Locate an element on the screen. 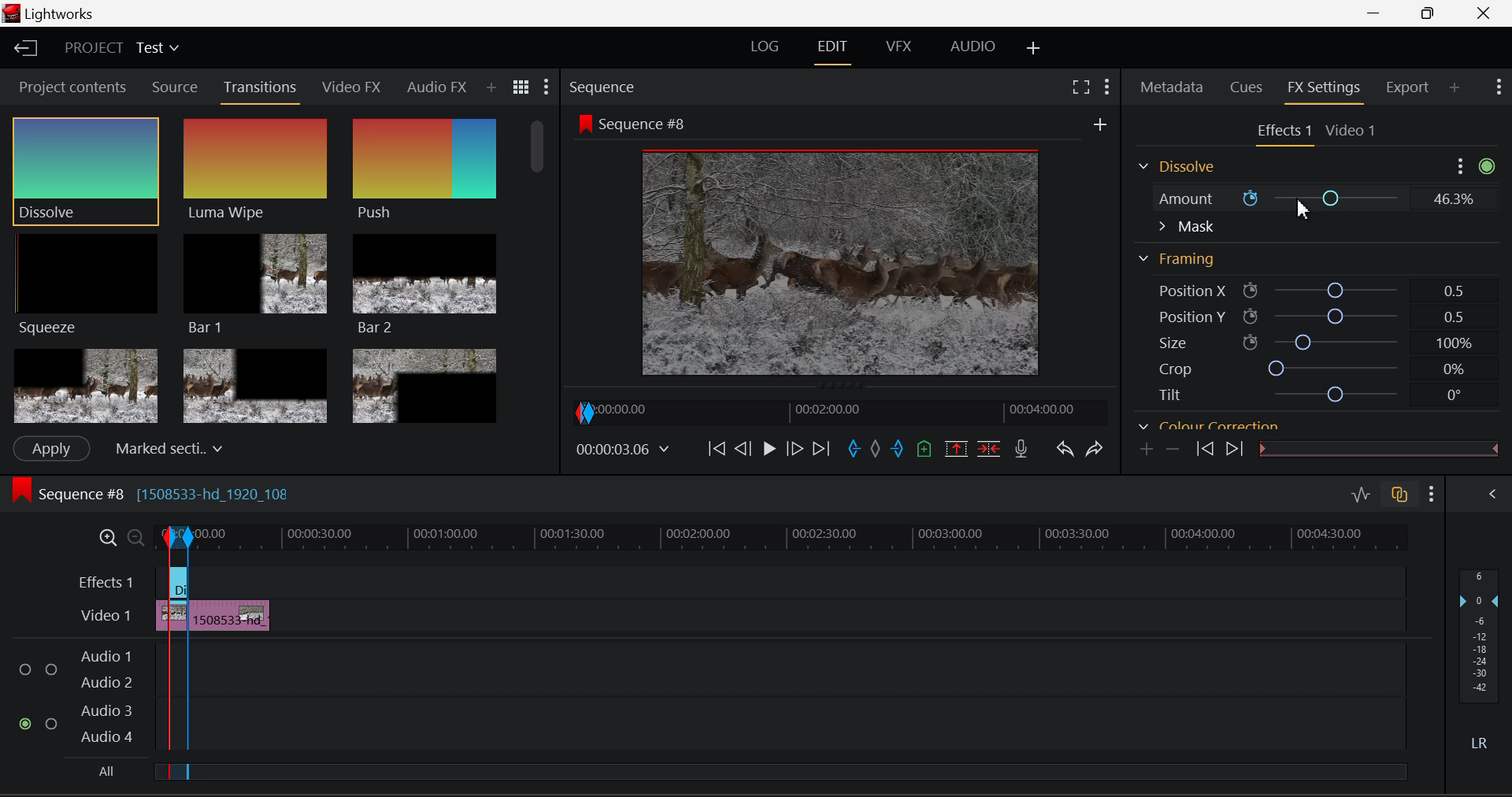 This screenshot has width=1512, height=797. Tilt is located at coordinates (1303, 394).